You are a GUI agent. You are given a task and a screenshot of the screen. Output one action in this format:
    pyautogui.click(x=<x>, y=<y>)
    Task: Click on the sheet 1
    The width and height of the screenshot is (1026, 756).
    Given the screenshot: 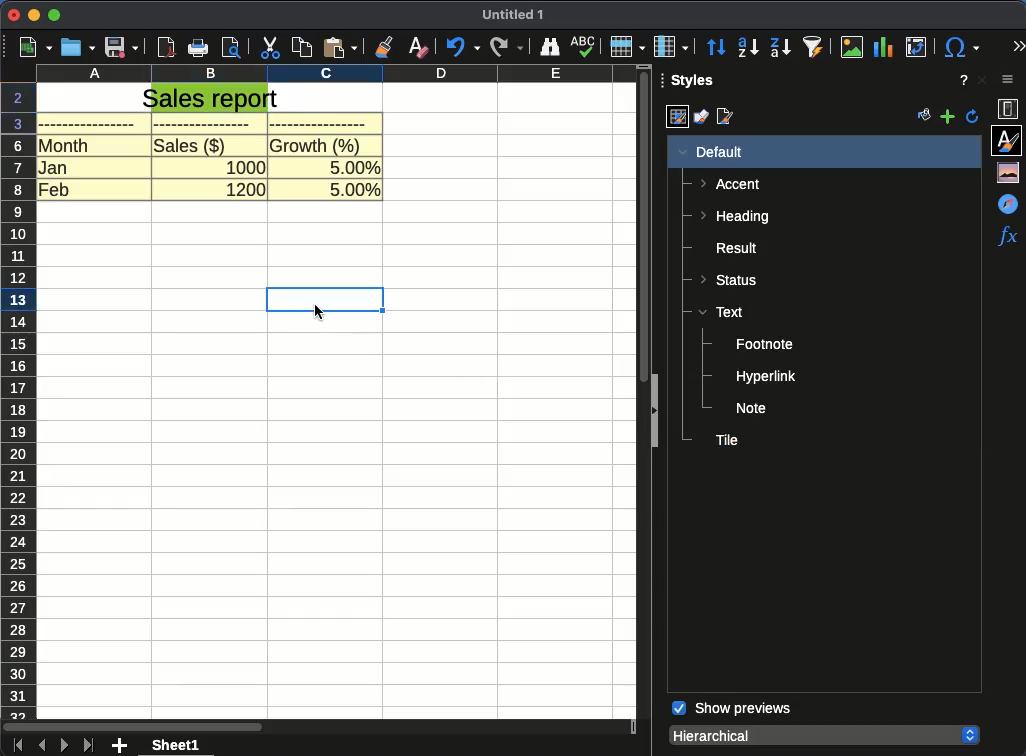 What is the action you would take?
    pyautogui.click(x=176, y=745)
    